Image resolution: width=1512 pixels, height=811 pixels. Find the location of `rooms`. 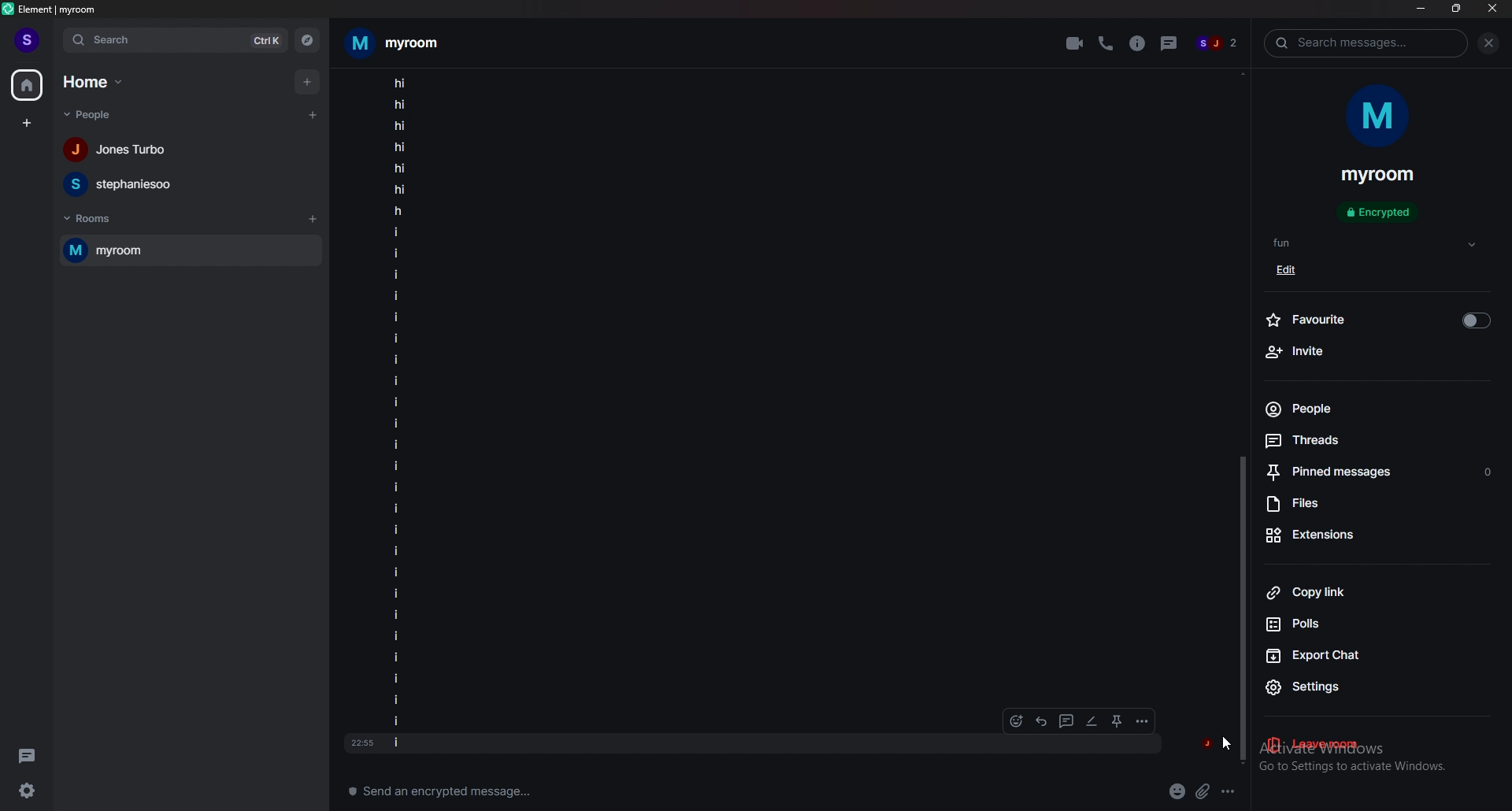

rooms is located at coordinates (92, 220).